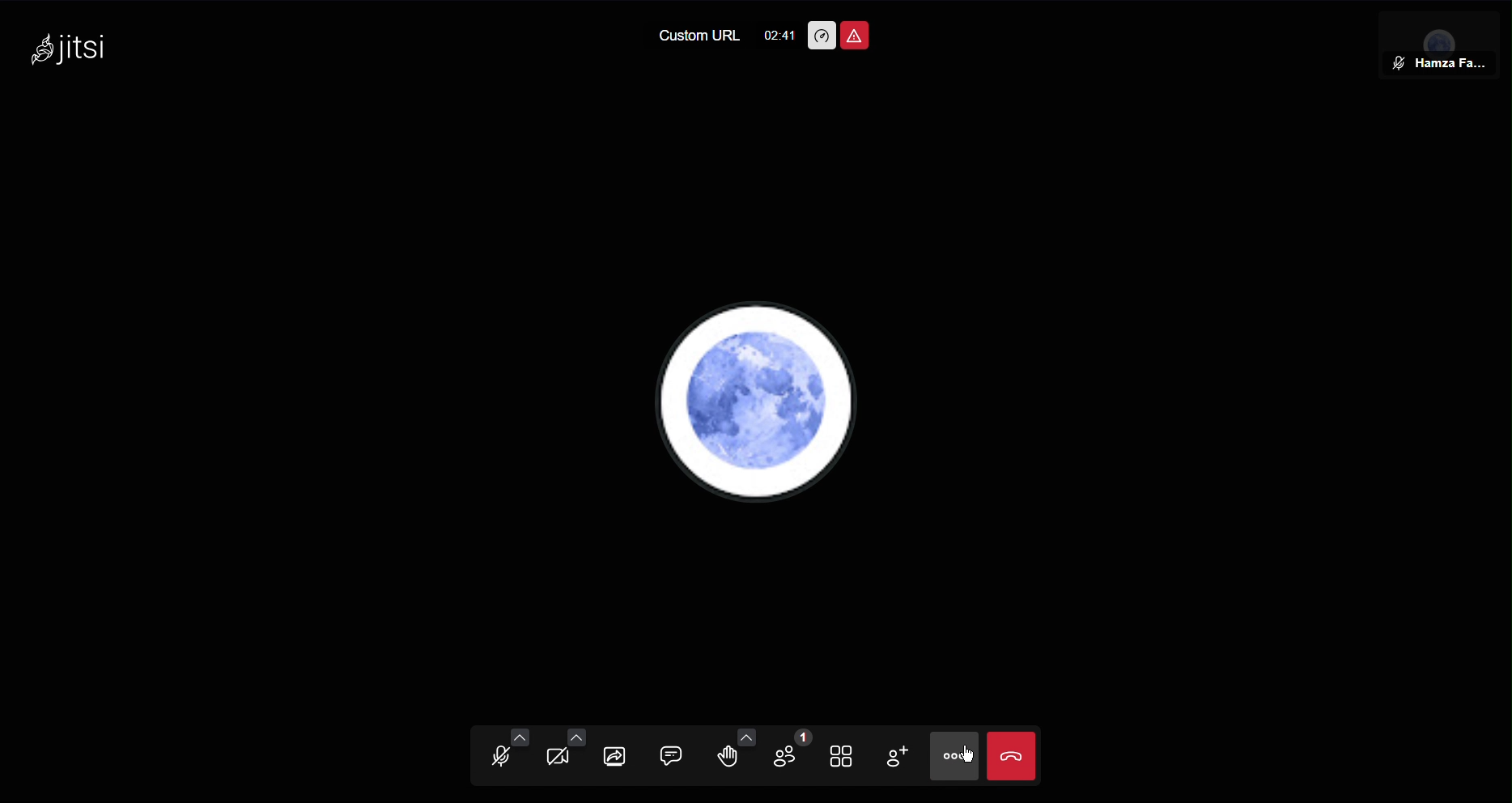 This screenshot has width=1512, height=803. Describe the element at coordinates (897, 758) in the screenshot. I see `Add Participant` at that location.